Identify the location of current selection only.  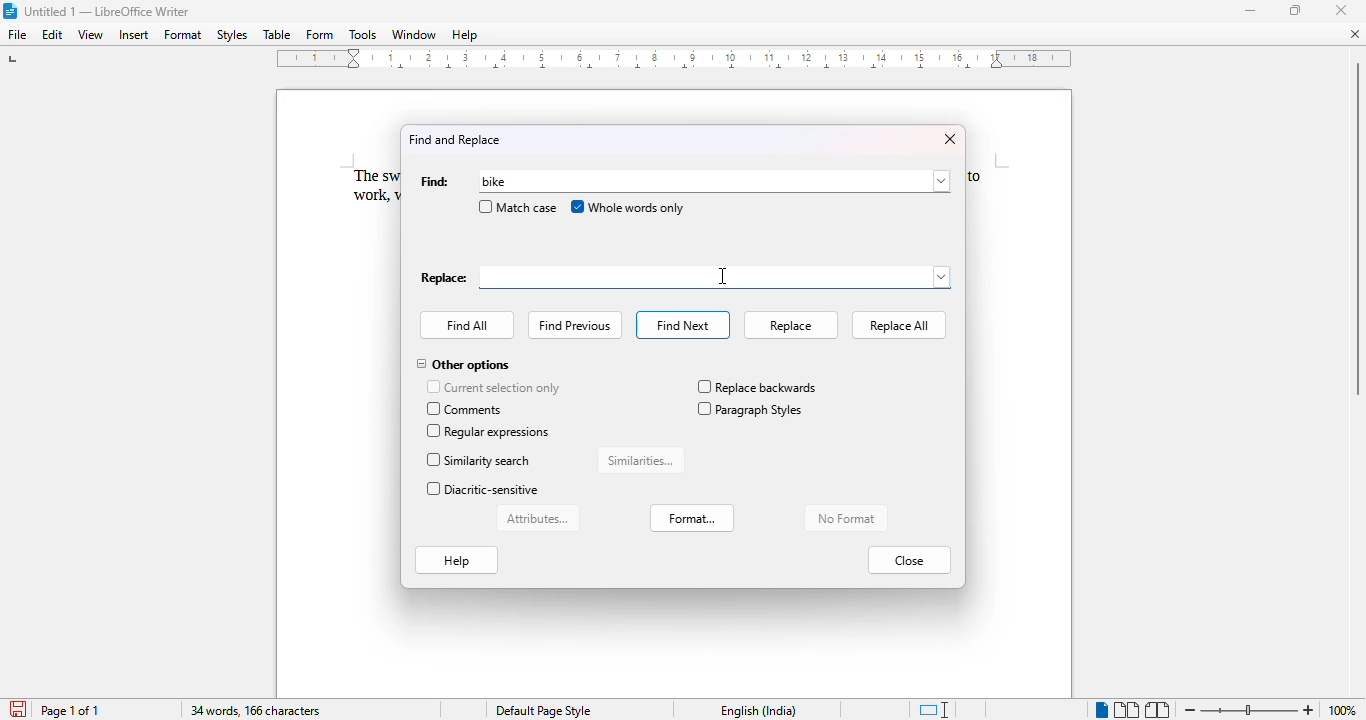
(493, 387).